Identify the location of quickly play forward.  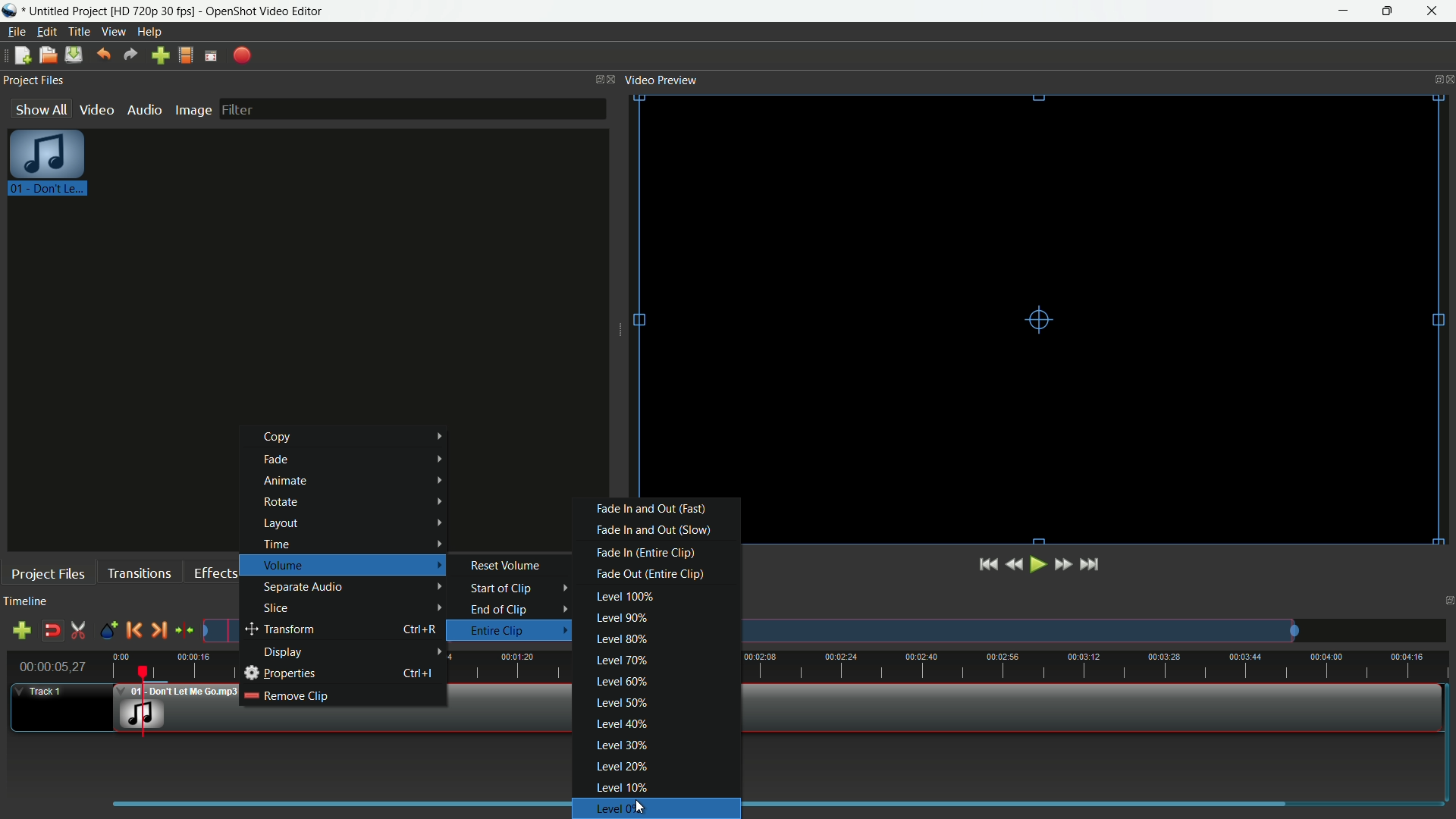
(1063, 563).